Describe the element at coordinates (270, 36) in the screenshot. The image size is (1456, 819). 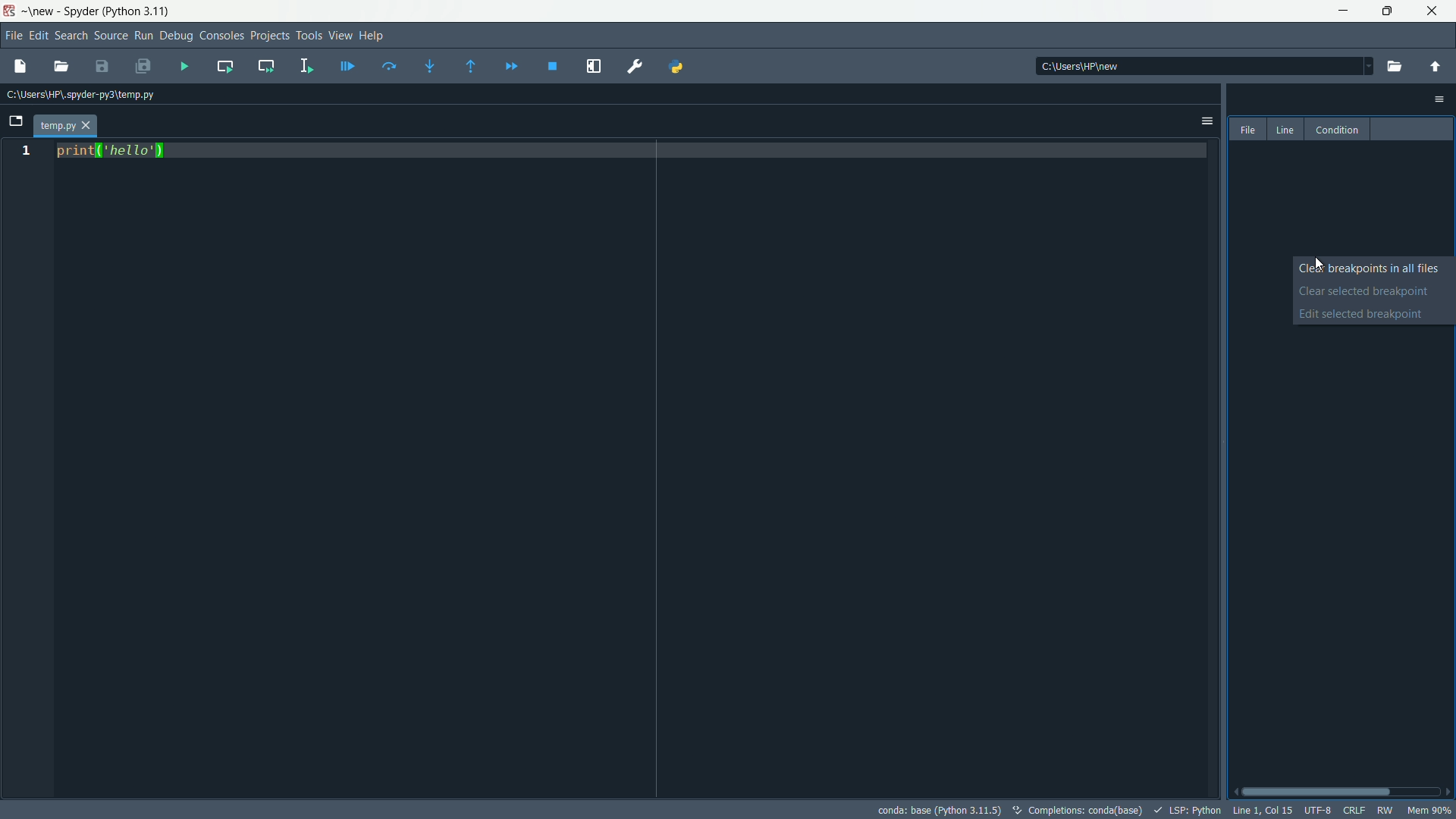
I see `projects menu` at that location.